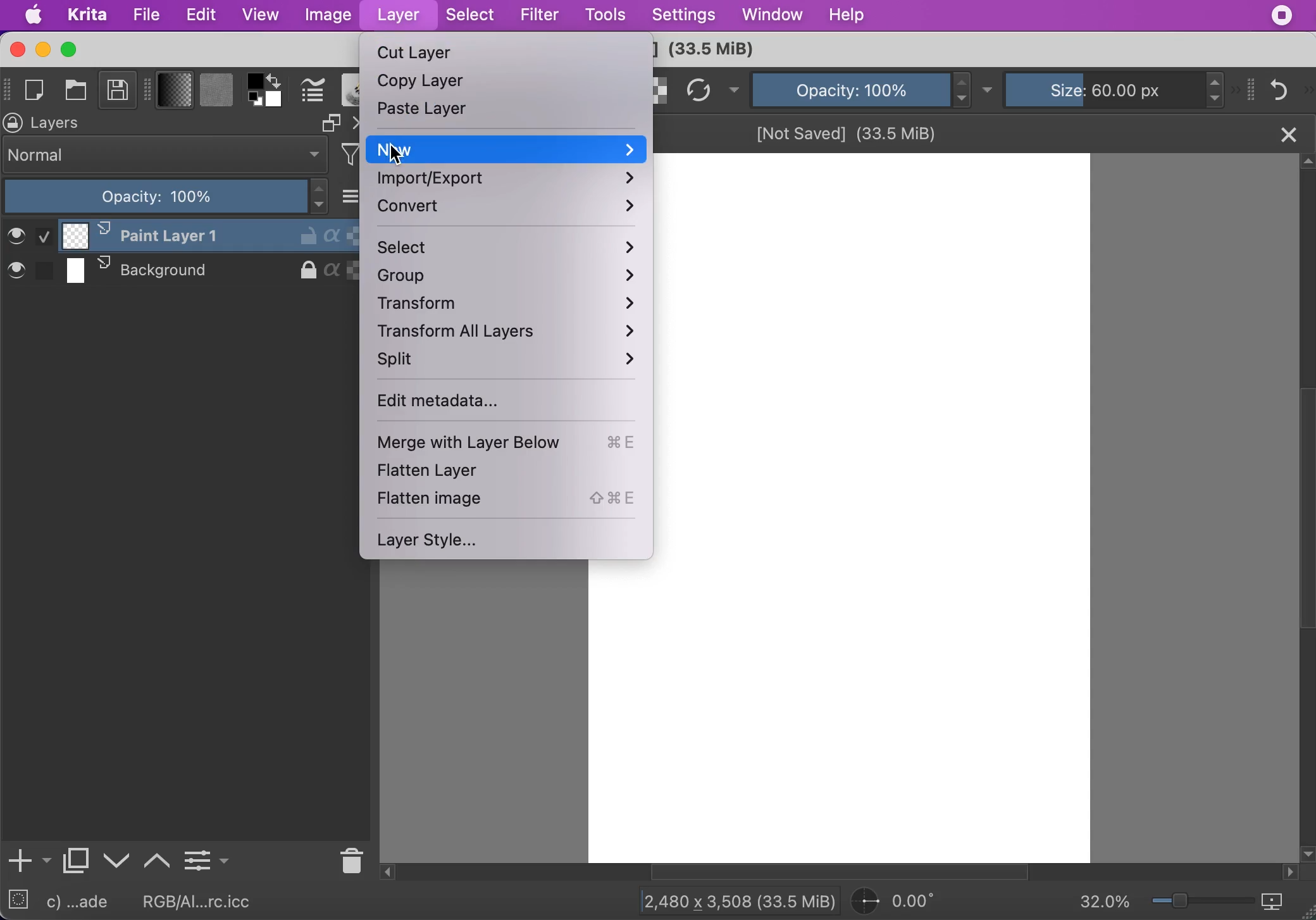 The height and width of the screenshot is (920, 1316). Describe the element at coordinates (1281, 902) in the screenshot. I see `map the display canvas size between pixel size or print size` at that location.